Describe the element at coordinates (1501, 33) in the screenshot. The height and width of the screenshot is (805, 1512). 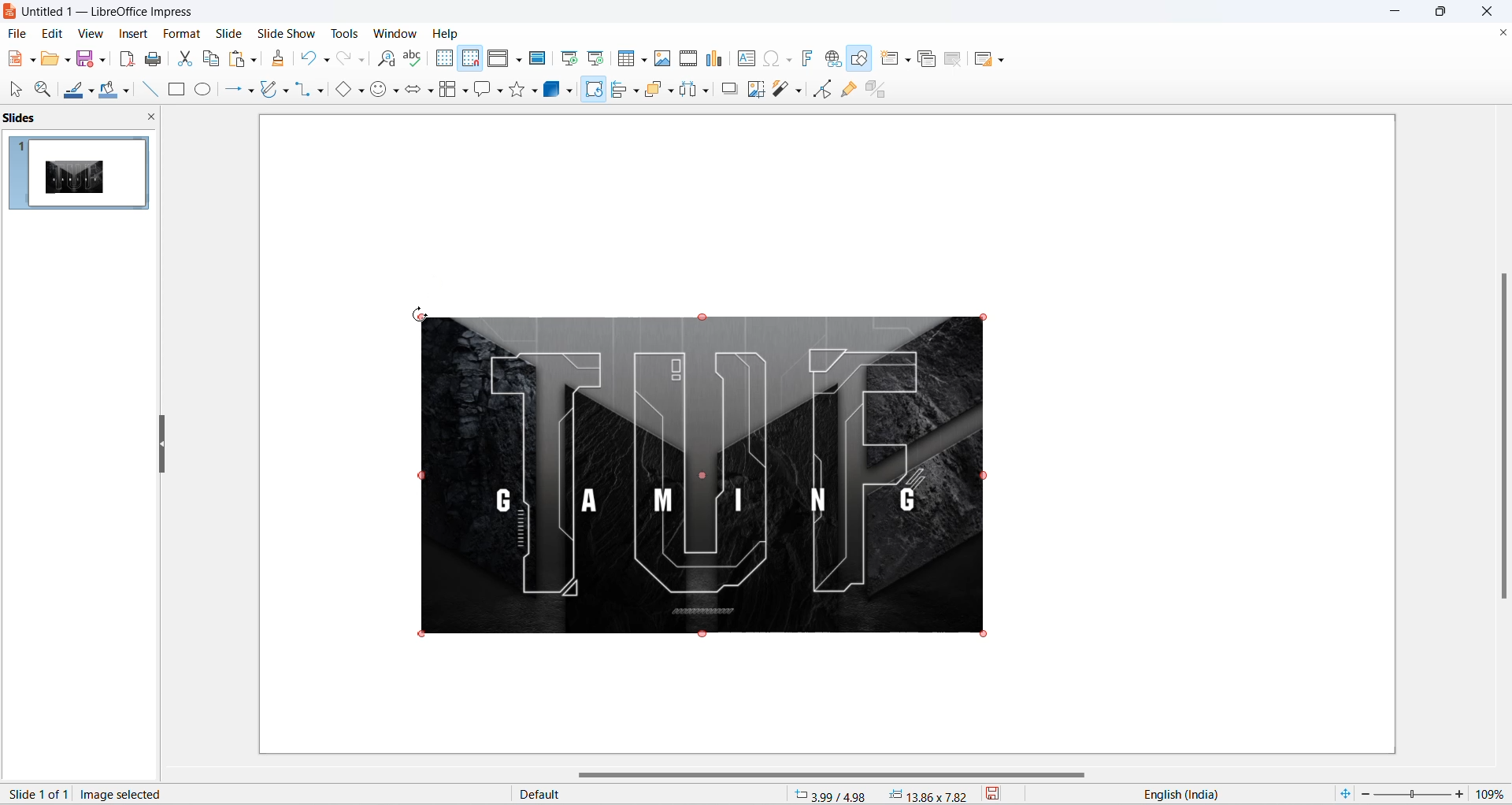
I see `close document` at that location.